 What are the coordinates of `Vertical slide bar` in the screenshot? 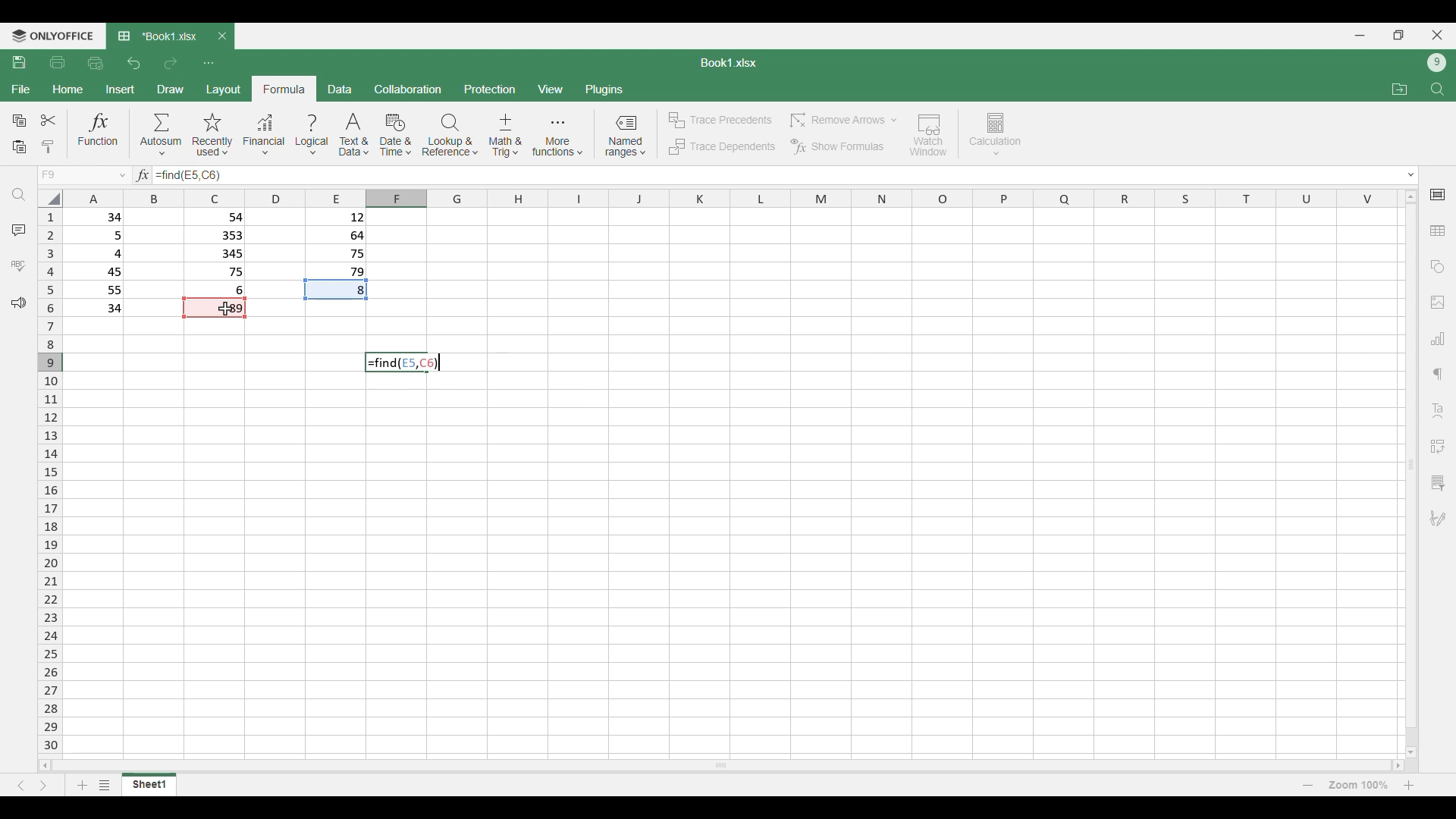 It's located at (1412, 474).